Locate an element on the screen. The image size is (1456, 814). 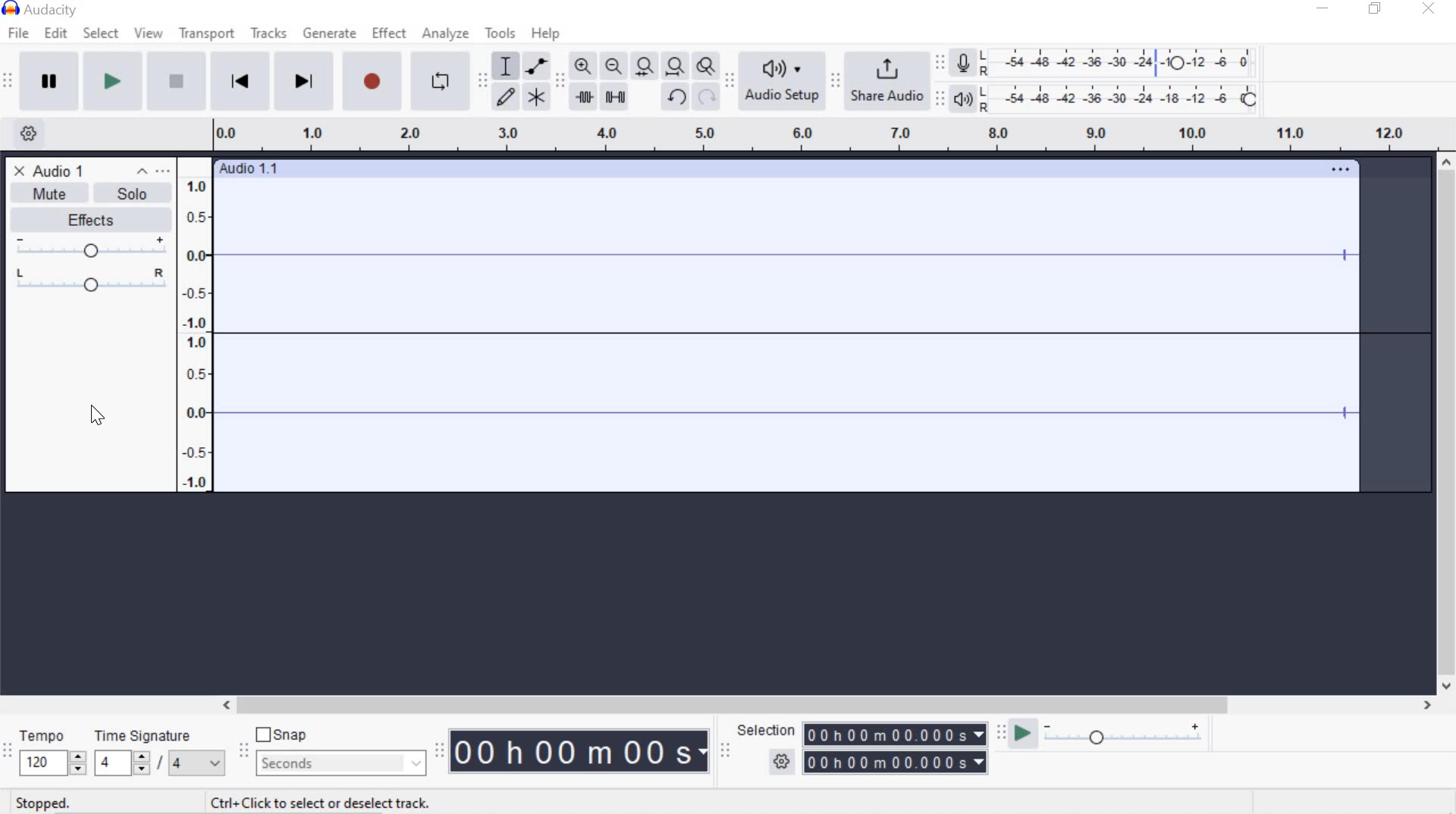
Selection tool is located at coordinates (506, 64).